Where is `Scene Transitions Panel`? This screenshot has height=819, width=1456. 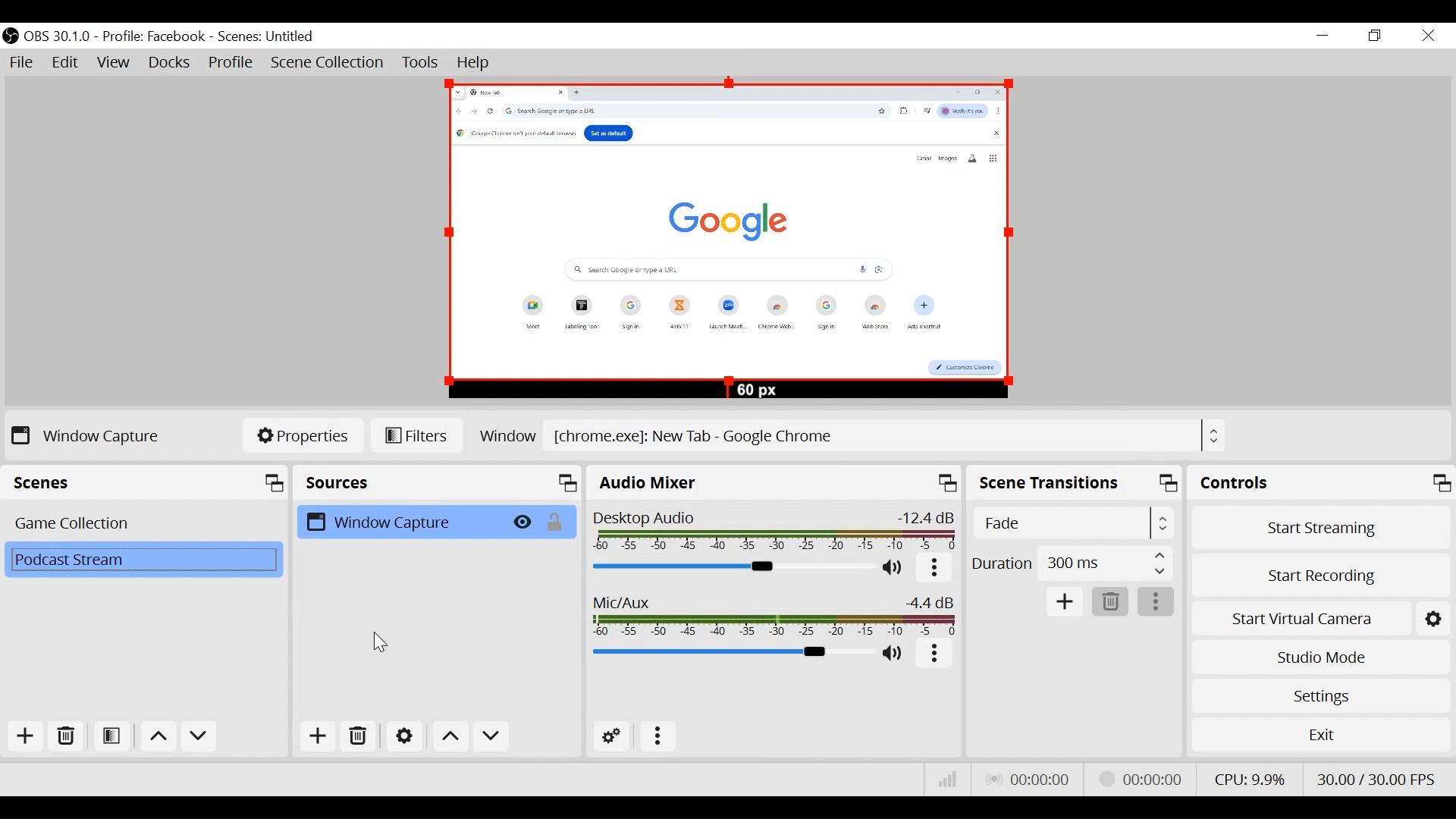
Scene Transitions Panel is located at coordinates (1075, 482).